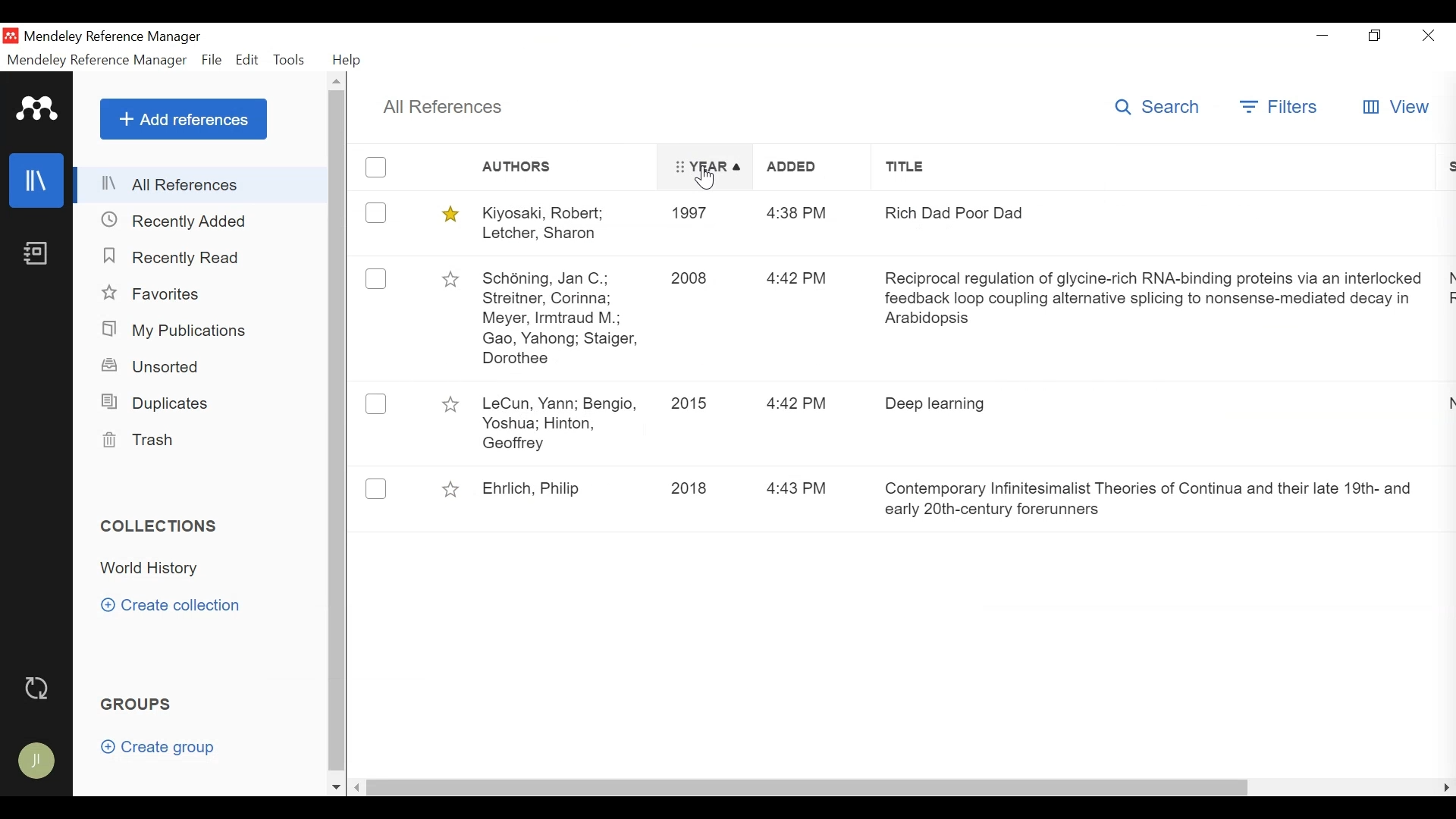 Image resolution: width=1456 pixels, height=819 pixels. Describe the element at coordinates (1431, 35) in the screenshot. I see `Close` at that location.